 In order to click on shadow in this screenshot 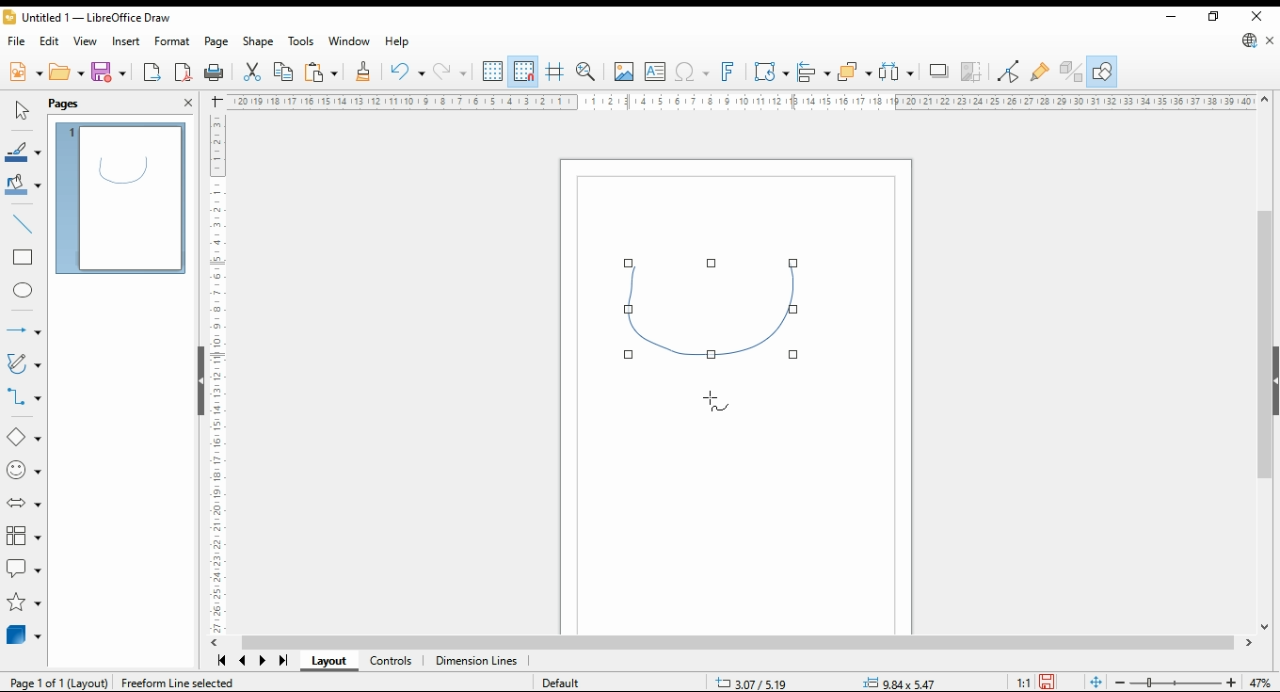, I will do `click(938, 71)`.